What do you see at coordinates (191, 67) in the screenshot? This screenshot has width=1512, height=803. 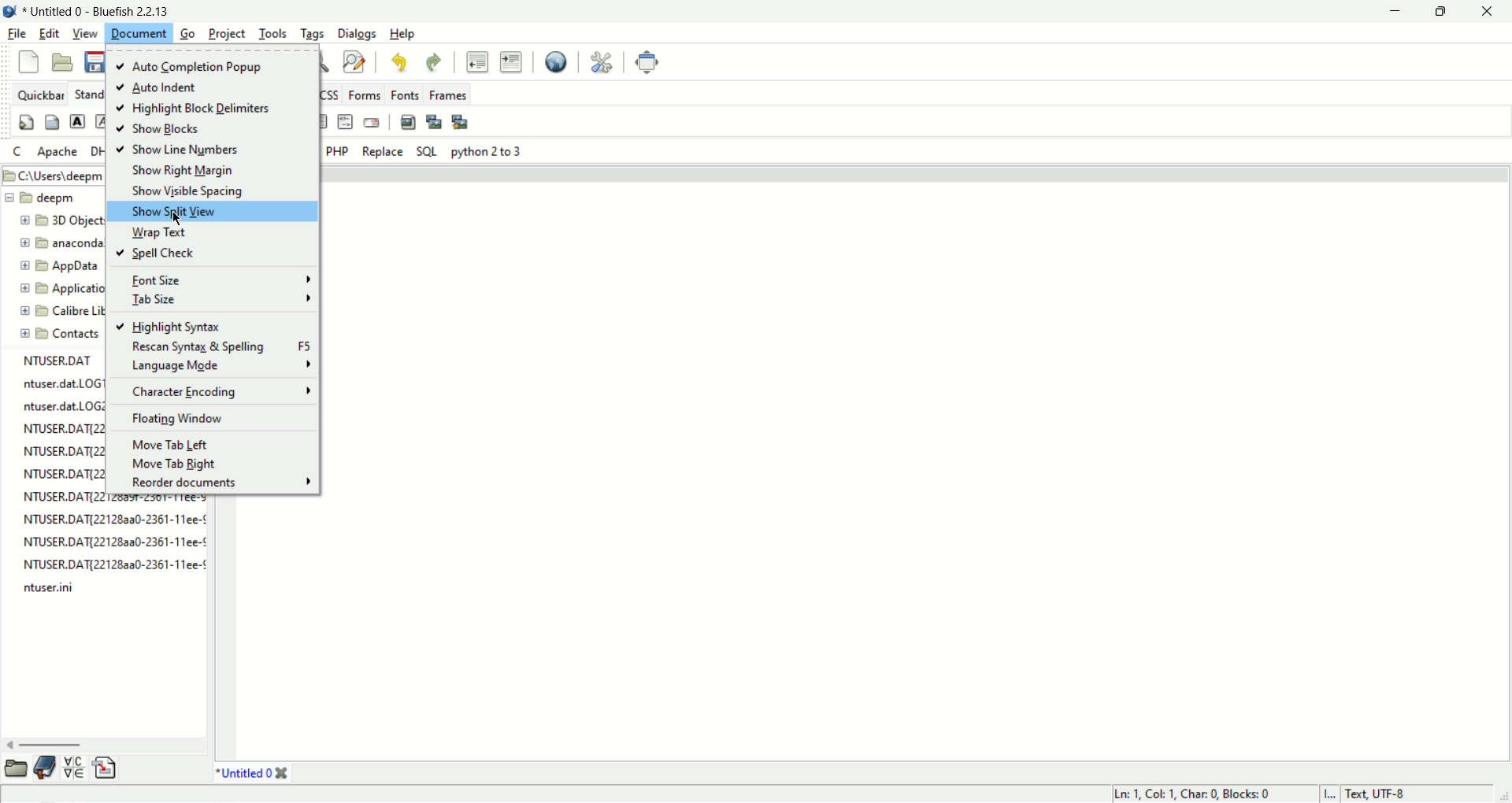 I see `auto completion popup` at bounding box center [191, 67].